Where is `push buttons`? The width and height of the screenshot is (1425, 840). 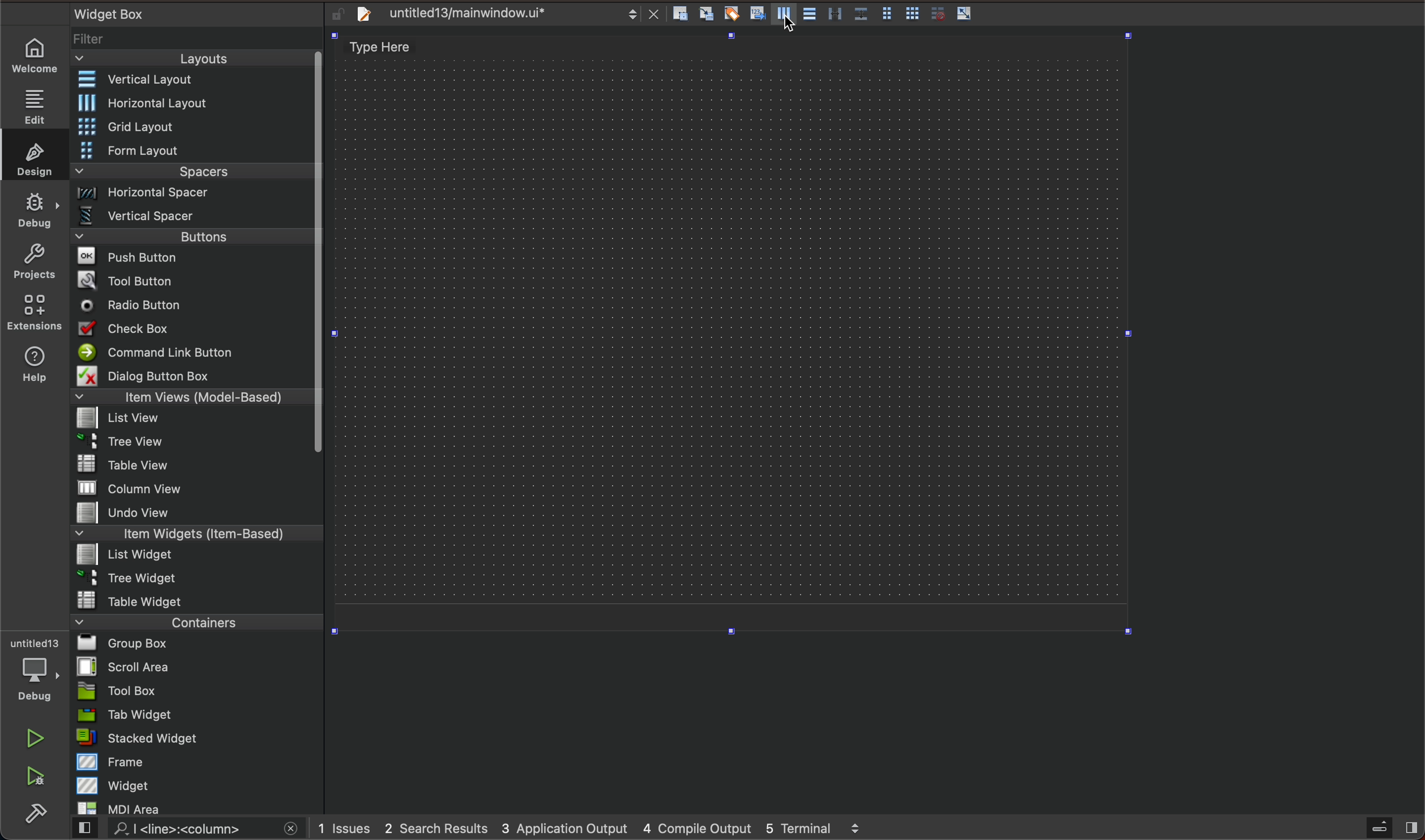
push buttons is located at coordinates (193, 256).